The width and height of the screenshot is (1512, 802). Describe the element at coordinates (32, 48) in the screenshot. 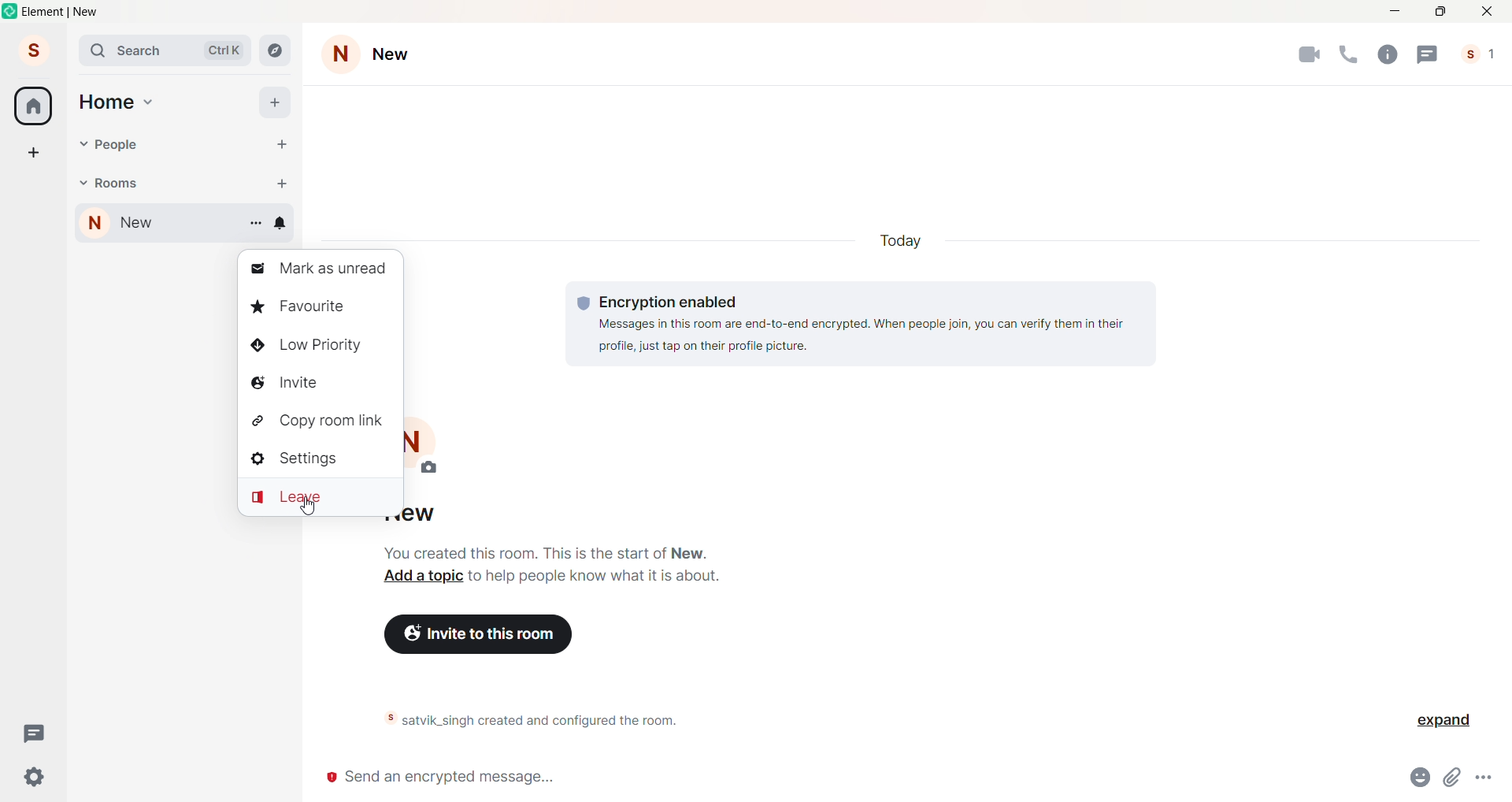

I see `Account` at that location.